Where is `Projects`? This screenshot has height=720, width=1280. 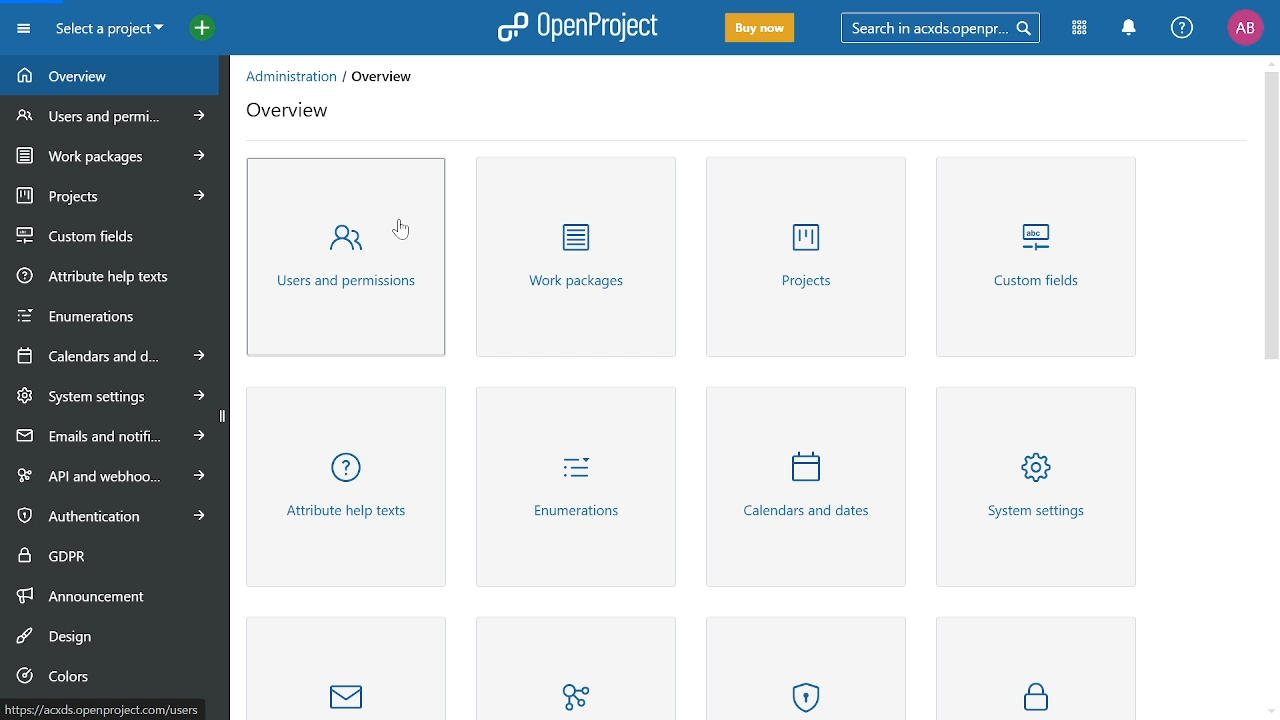 Projects is located at coordinates (114, 196).